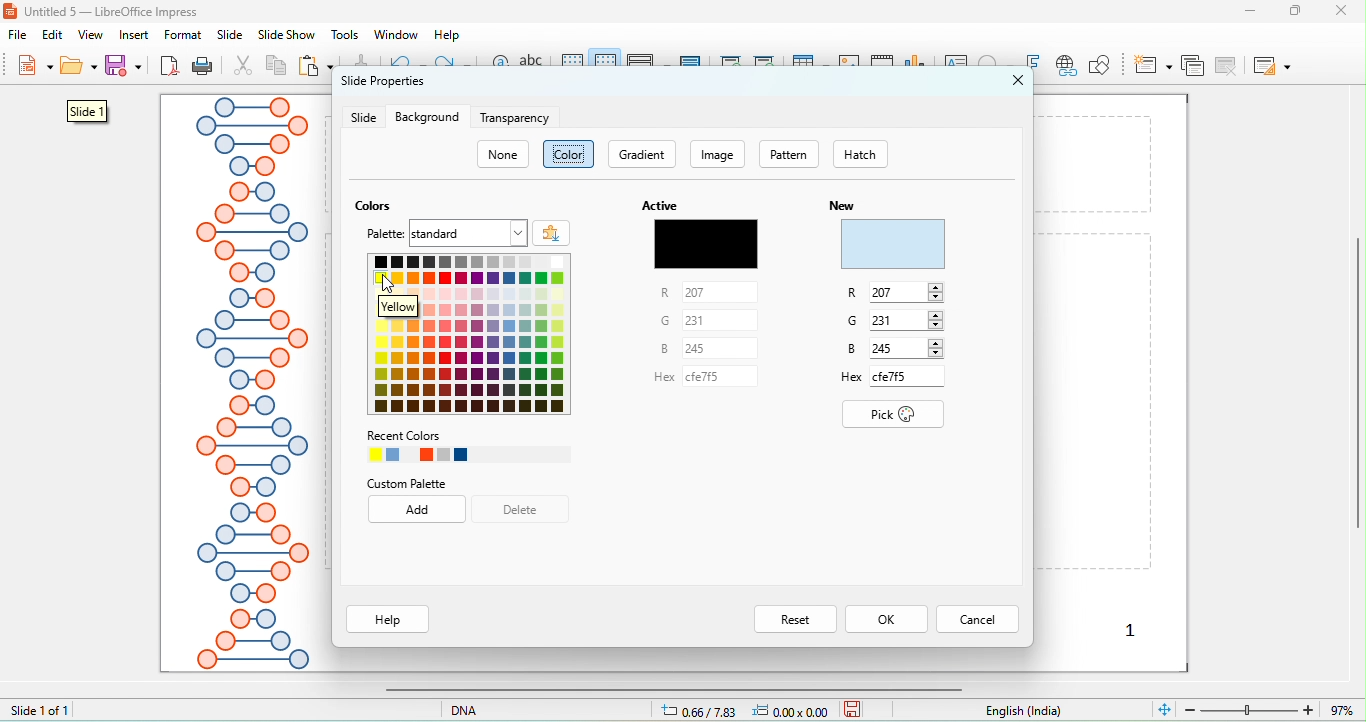 This screenshot has width=1366, height=722. I want to click on new slide, so click(1153, 64).